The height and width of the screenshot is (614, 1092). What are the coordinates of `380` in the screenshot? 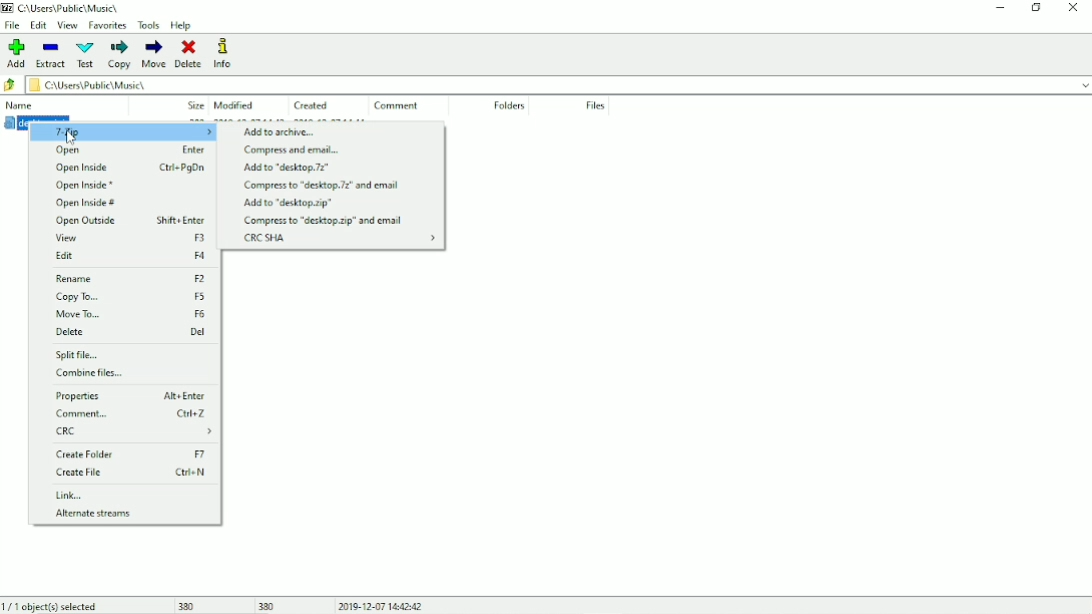 It's located at (268, 605).